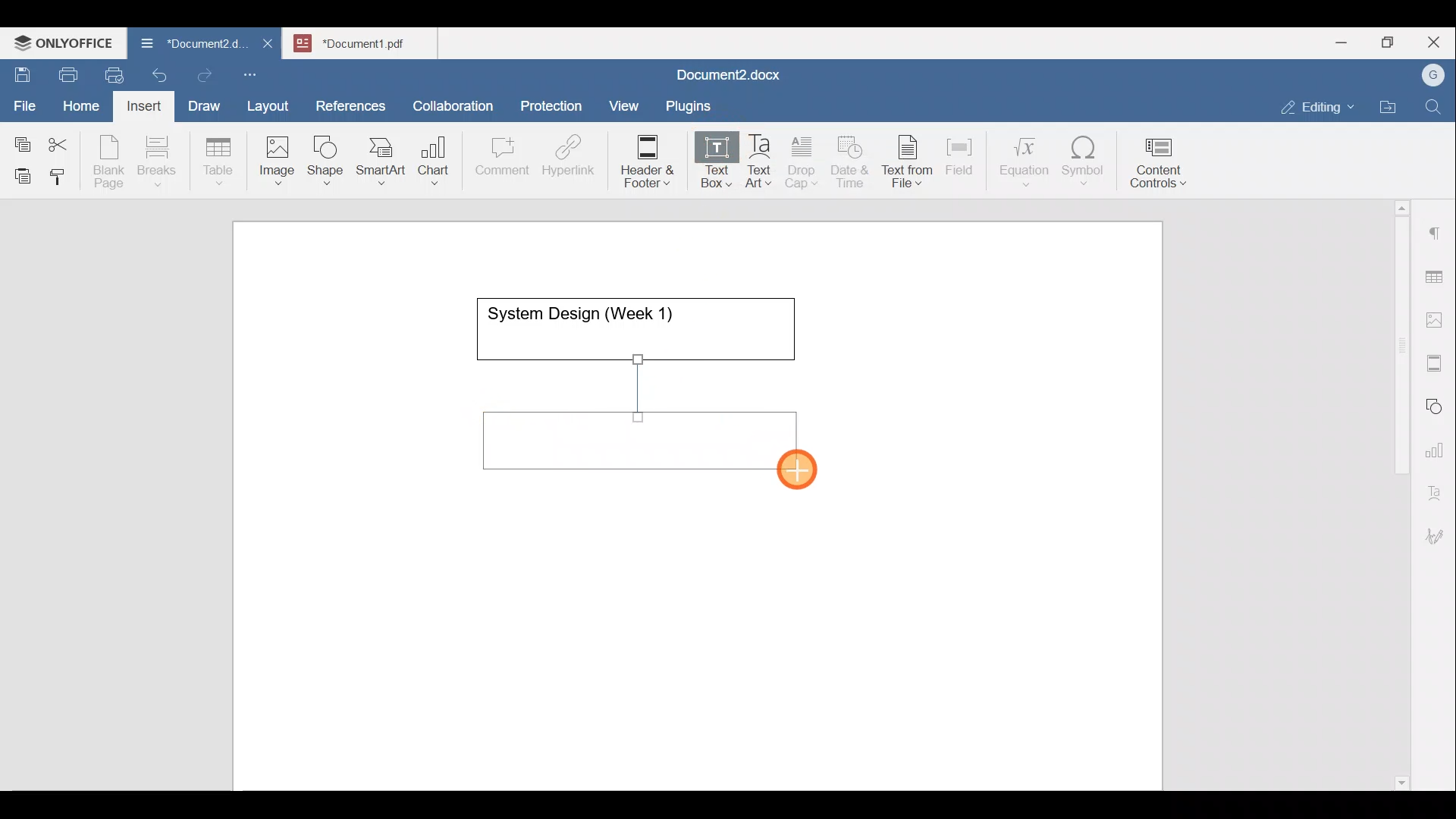 The image size is (1456, 819). I want to click on Paragraph settings, so click(1436, 227).